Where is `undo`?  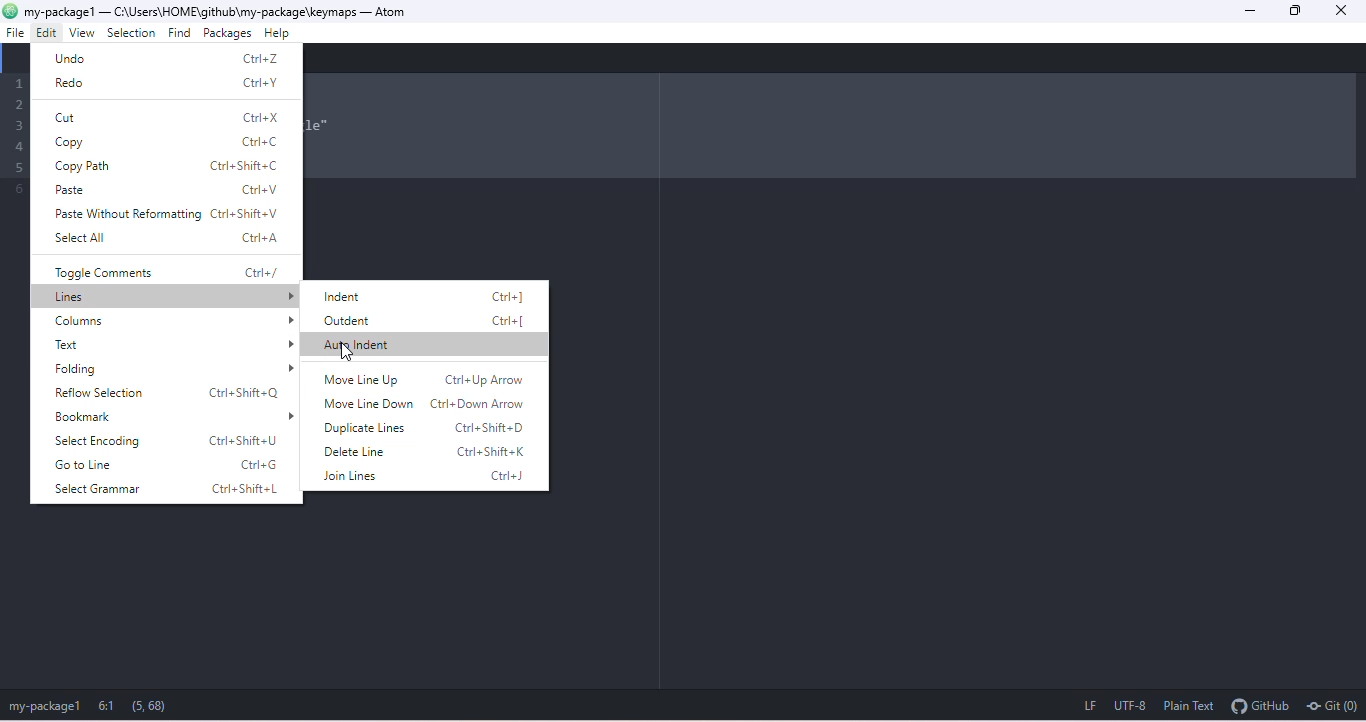
undo is located at coordinates (164, 60).